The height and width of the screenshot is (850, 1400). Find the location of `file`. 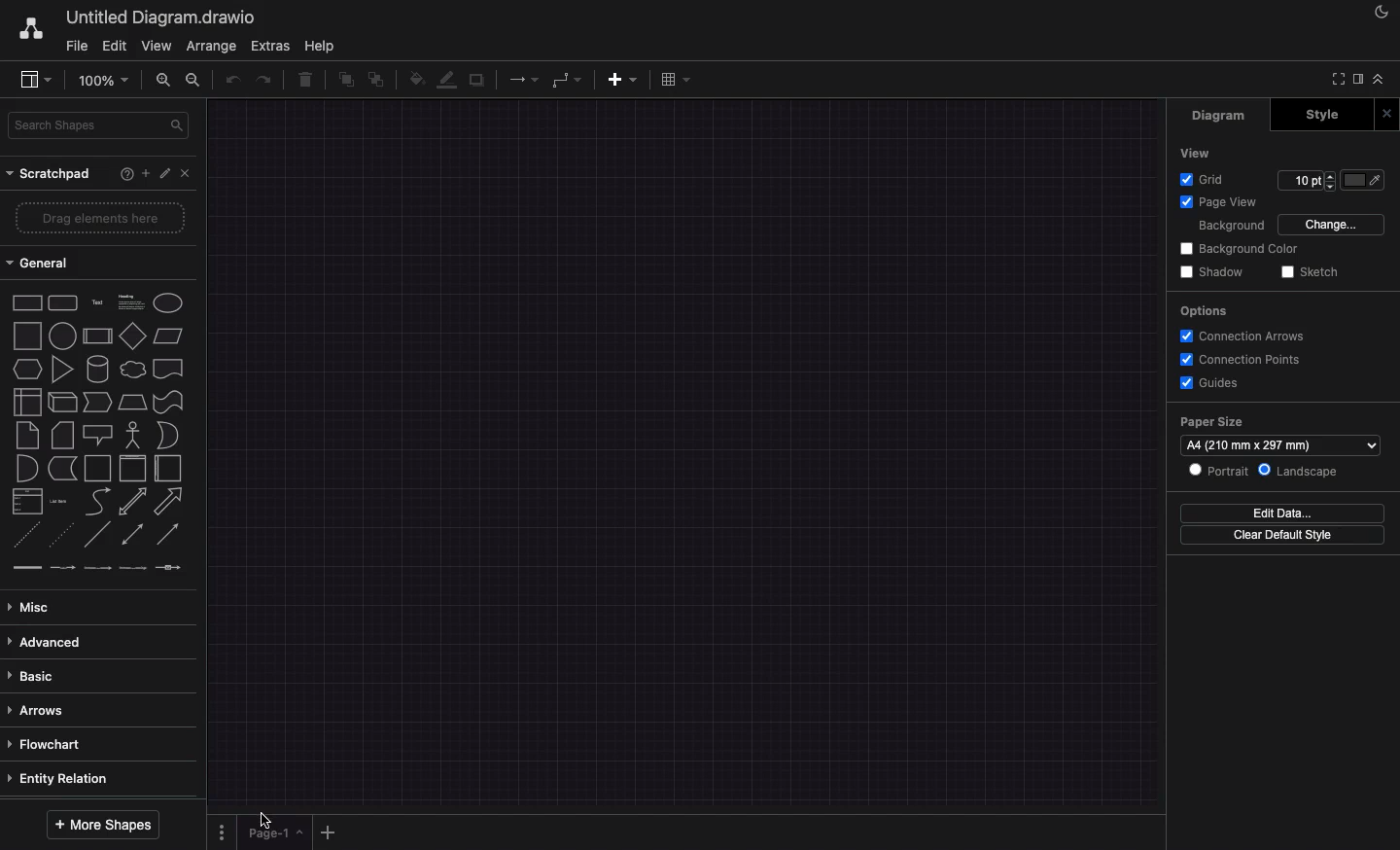

file is located at coordinates (78, 48).